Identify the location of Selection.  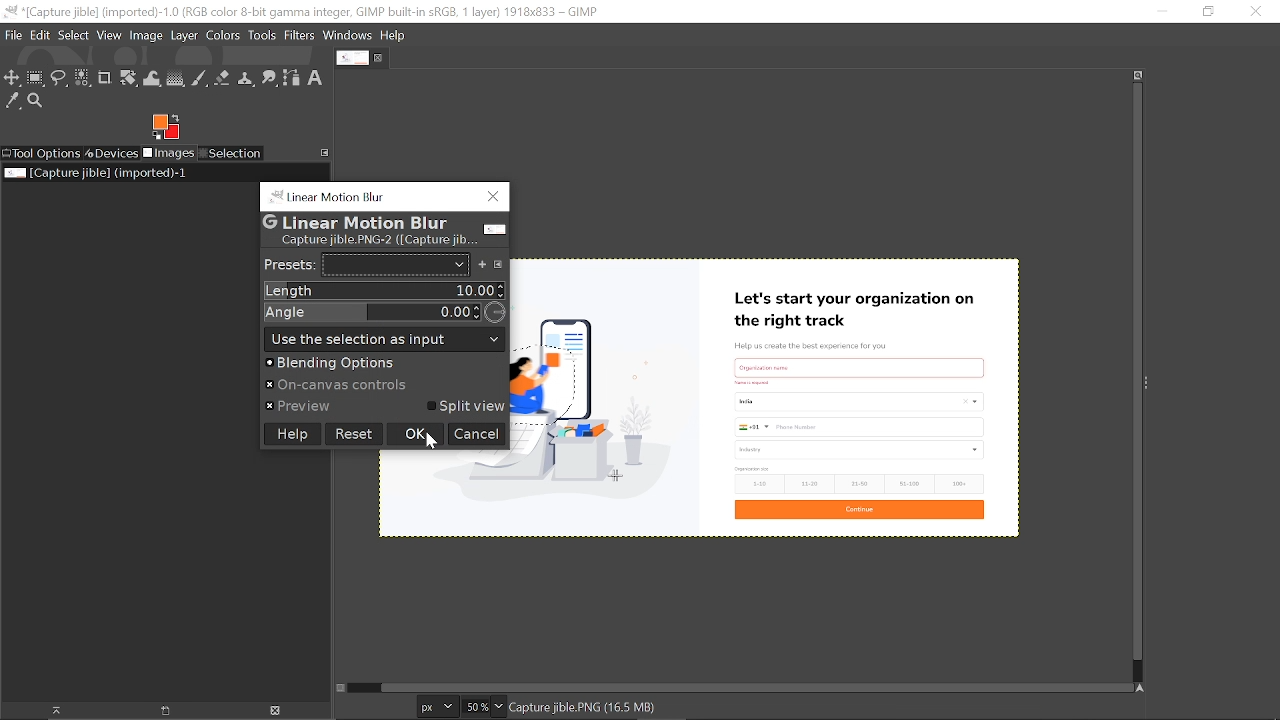
(230, 154).